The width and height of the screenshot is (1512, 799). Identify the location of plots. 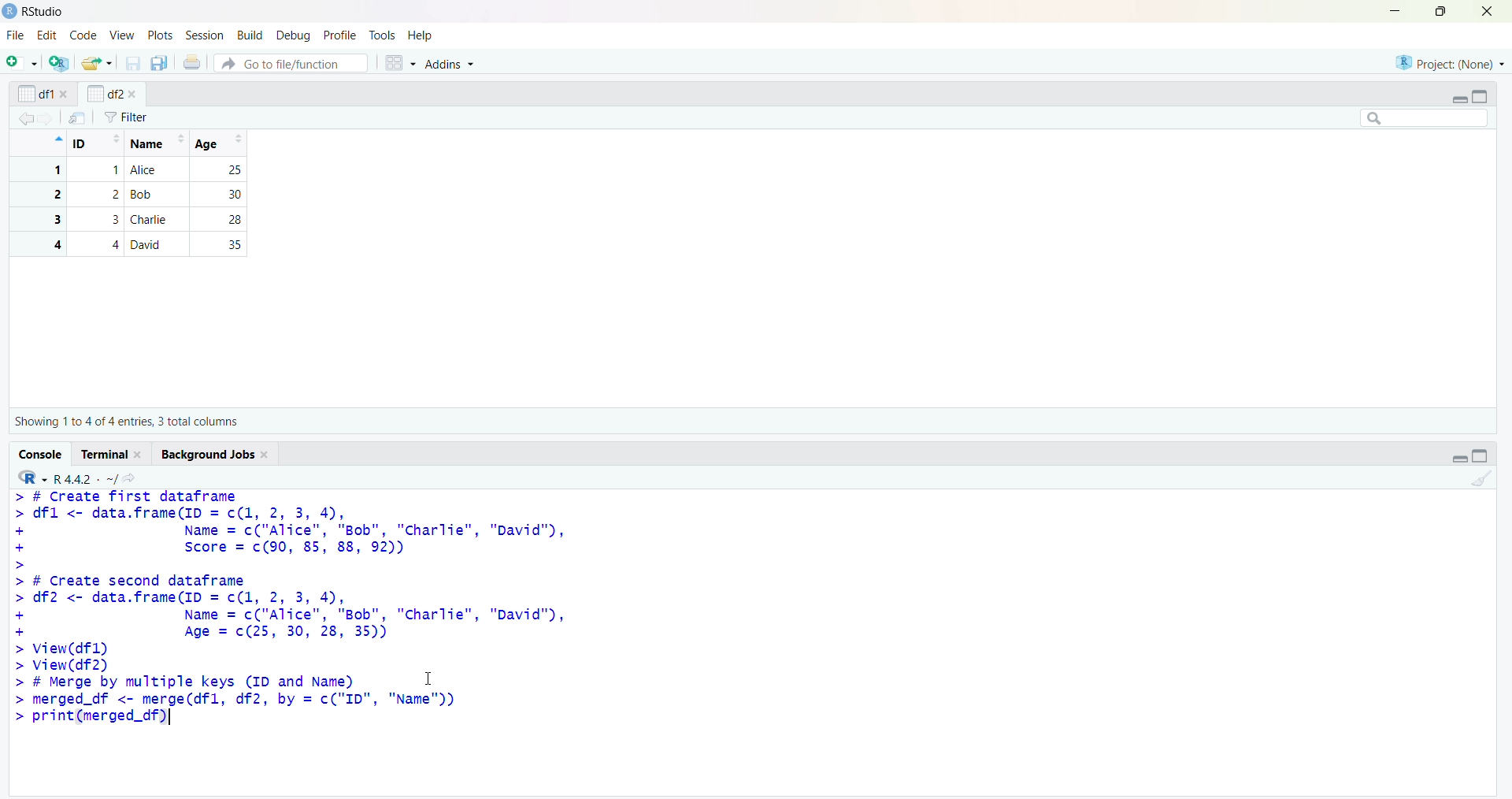
(162, 36).